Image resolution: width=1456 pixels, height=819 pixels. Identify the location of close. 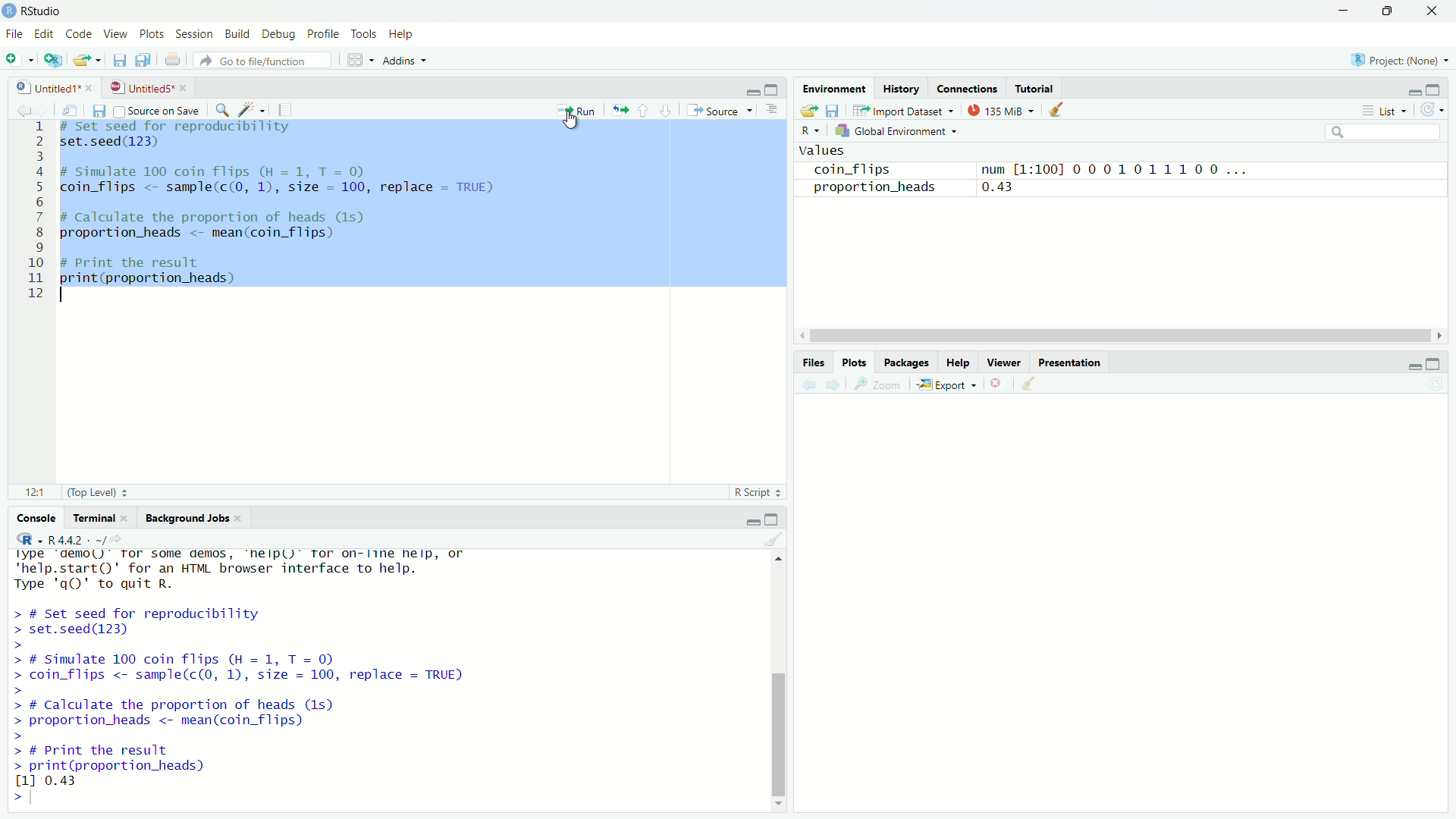
(90, 86).